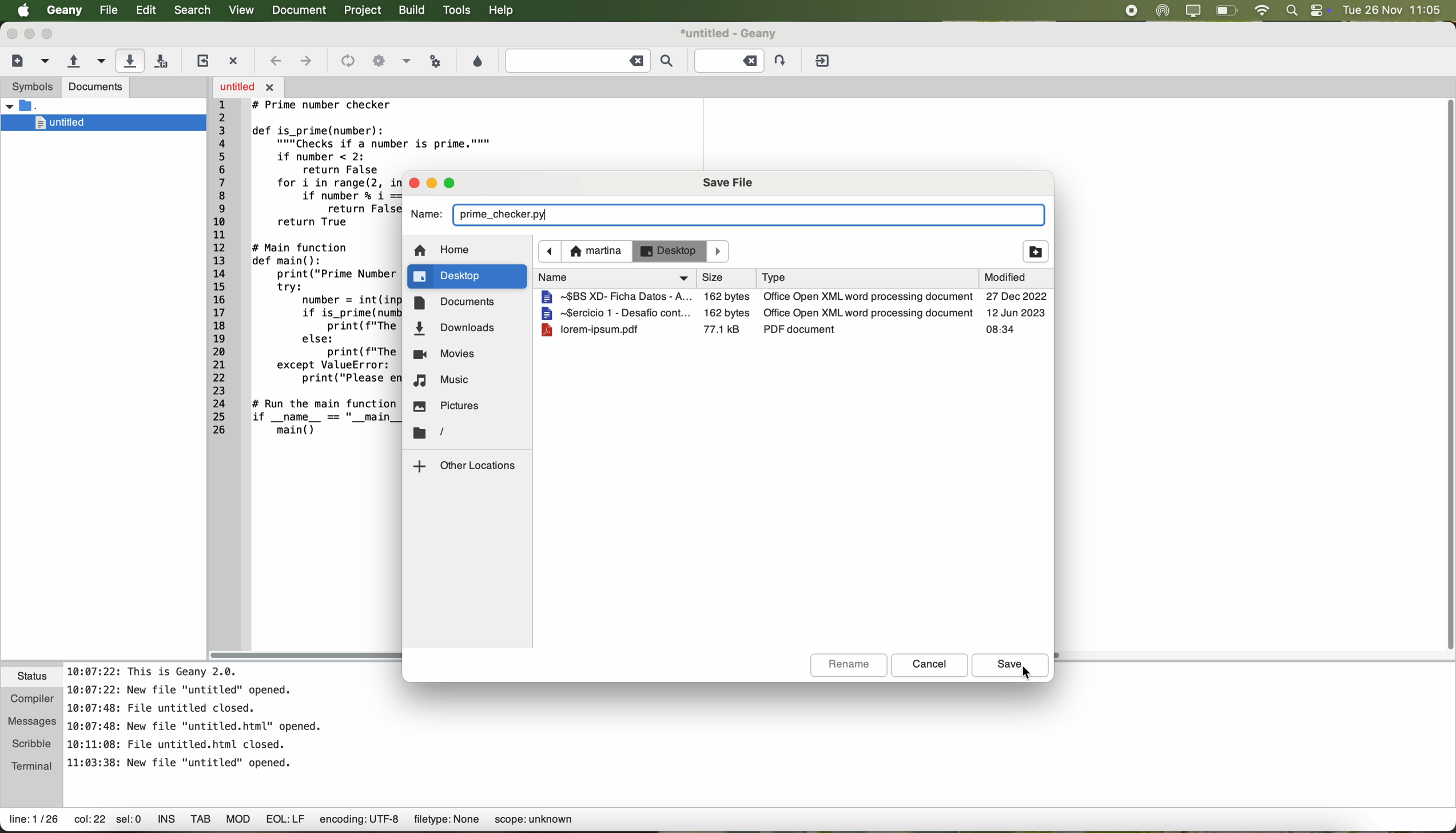 The image size is (1456, 833). Describe the element at coordinates (30, 33) in the screenshot. I see `minimize Geany` at that location.